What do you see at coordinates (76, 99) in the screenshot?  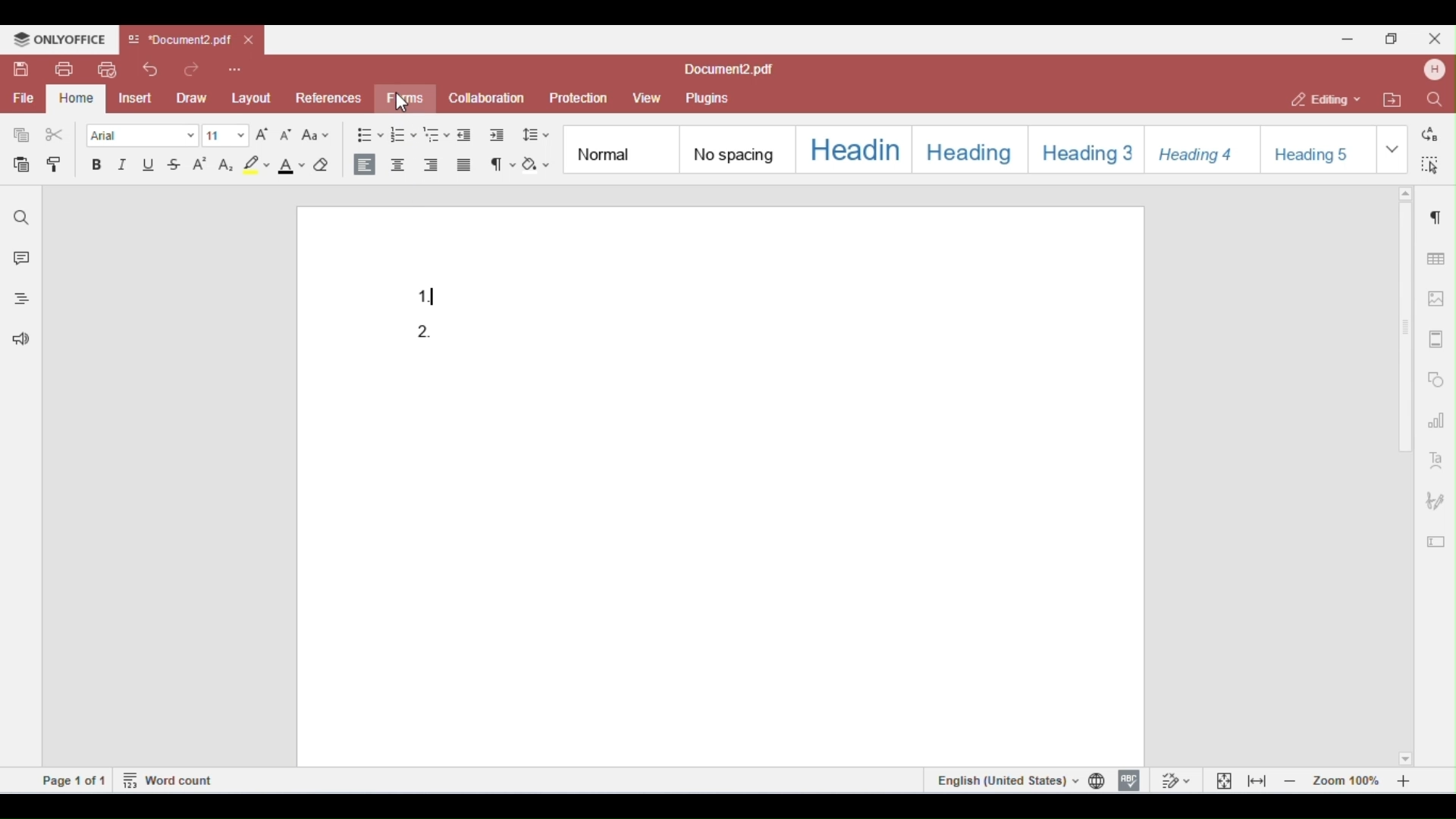 I see `home` at bounding box center [76, 99].